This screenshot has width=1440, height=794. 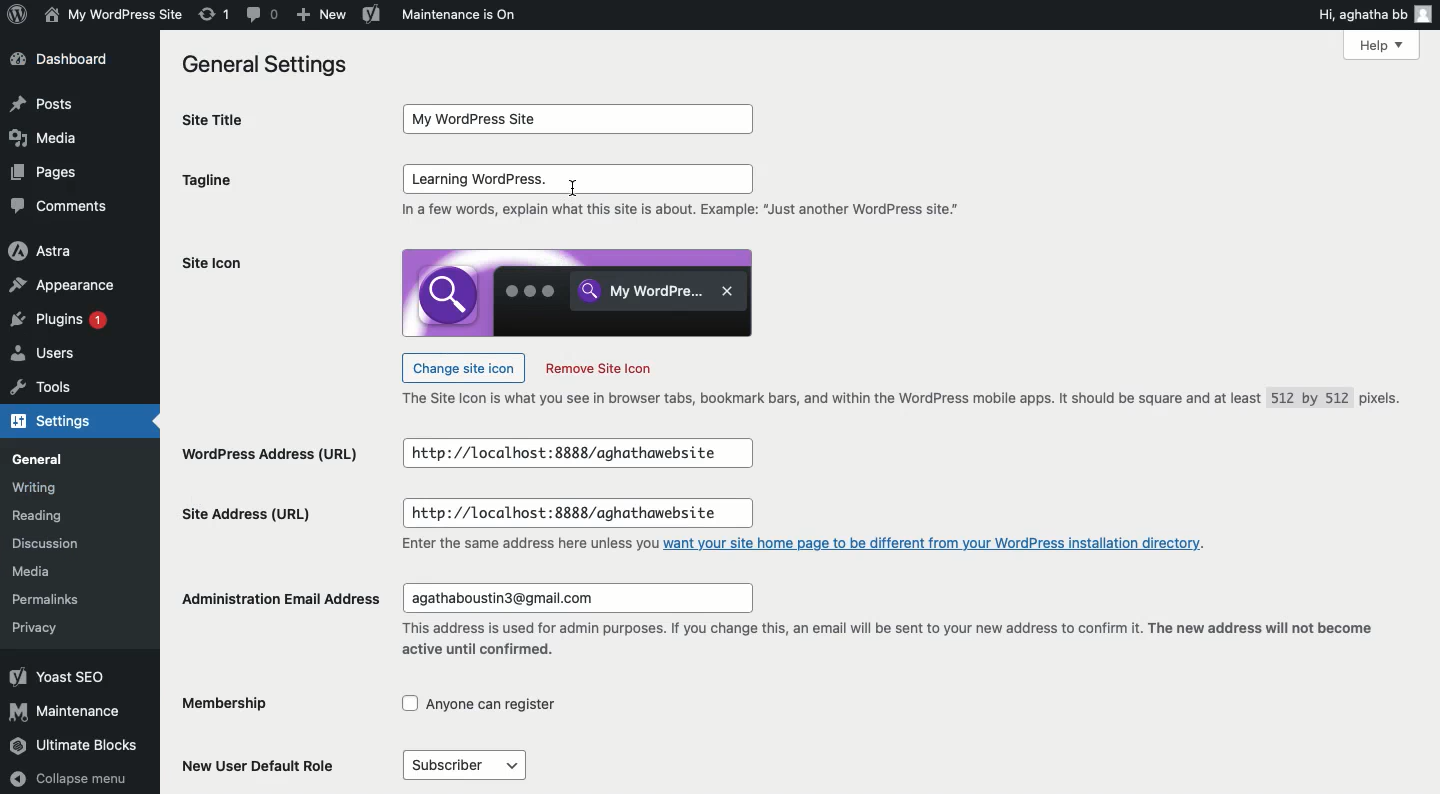 What do you see at coordinates (42, 252) in the screenshot?
I see `Astra` at bounding box center [42, 252].